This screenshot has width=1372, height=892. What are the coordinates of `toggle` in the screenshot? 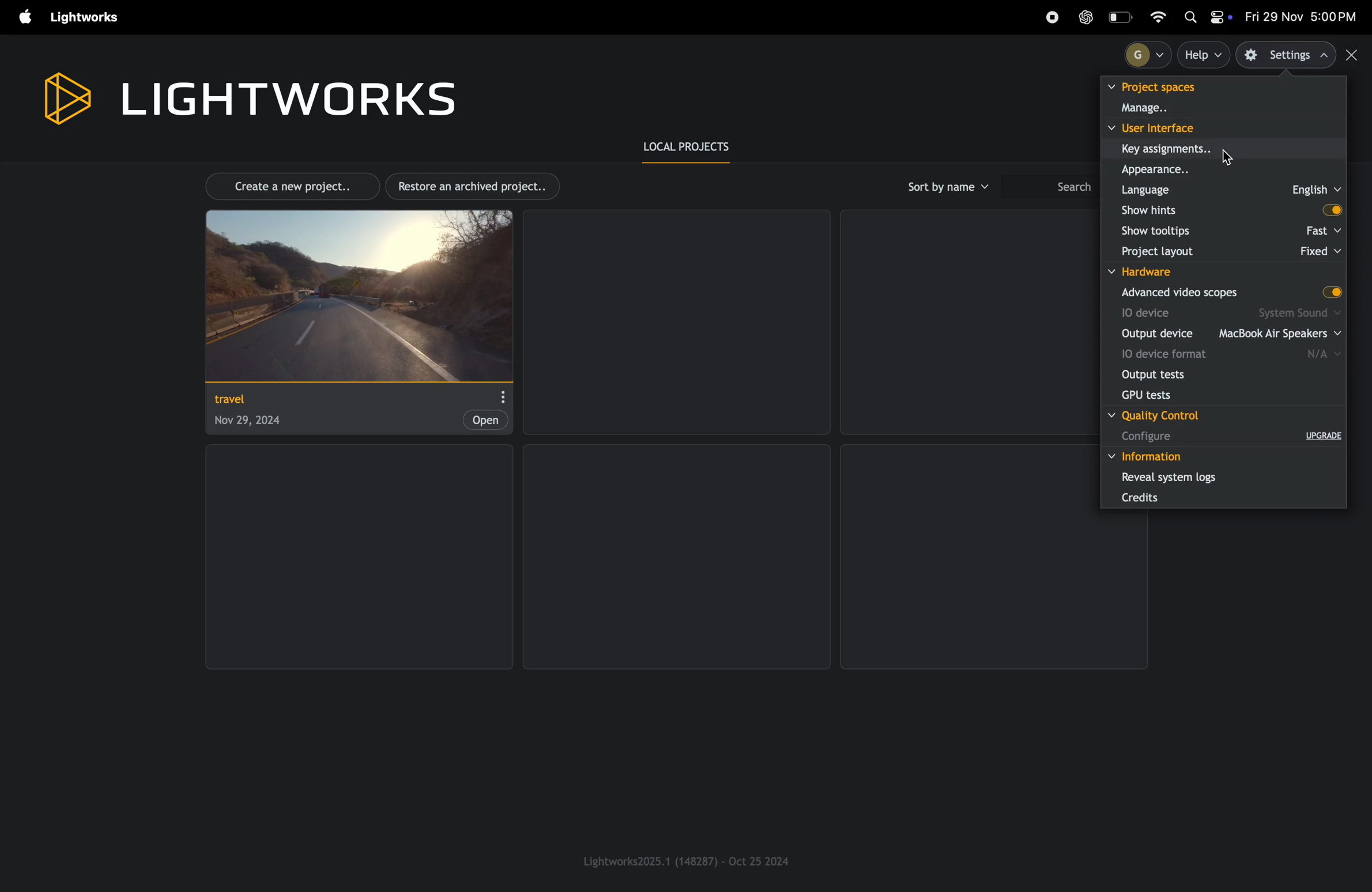 It's located at (1333, 291).